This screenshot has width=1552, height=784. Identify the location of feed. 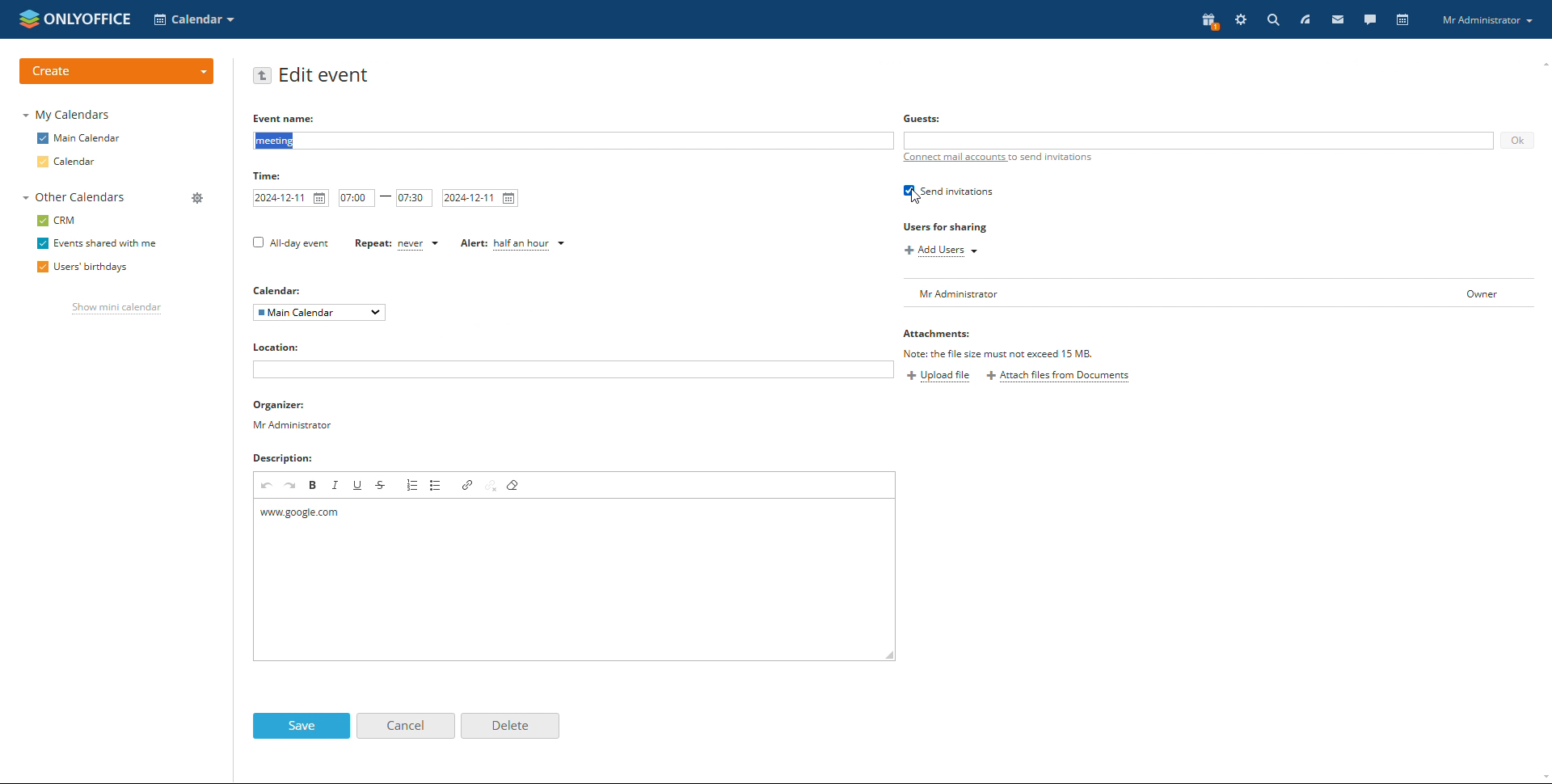
(1306, 19).